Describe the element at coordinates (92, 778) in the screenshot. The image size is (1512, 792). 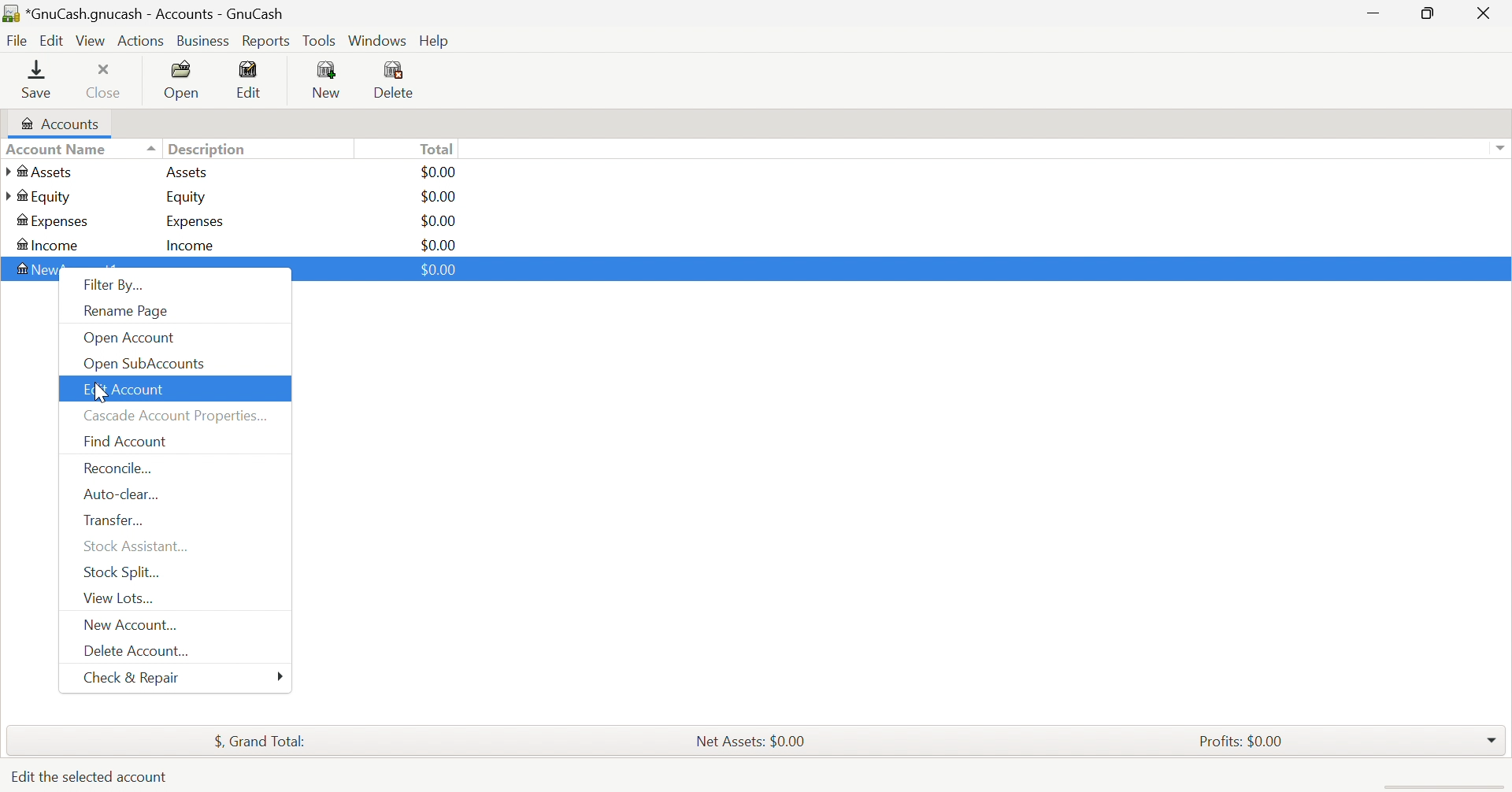
I see `Edit the selected account` at that location.